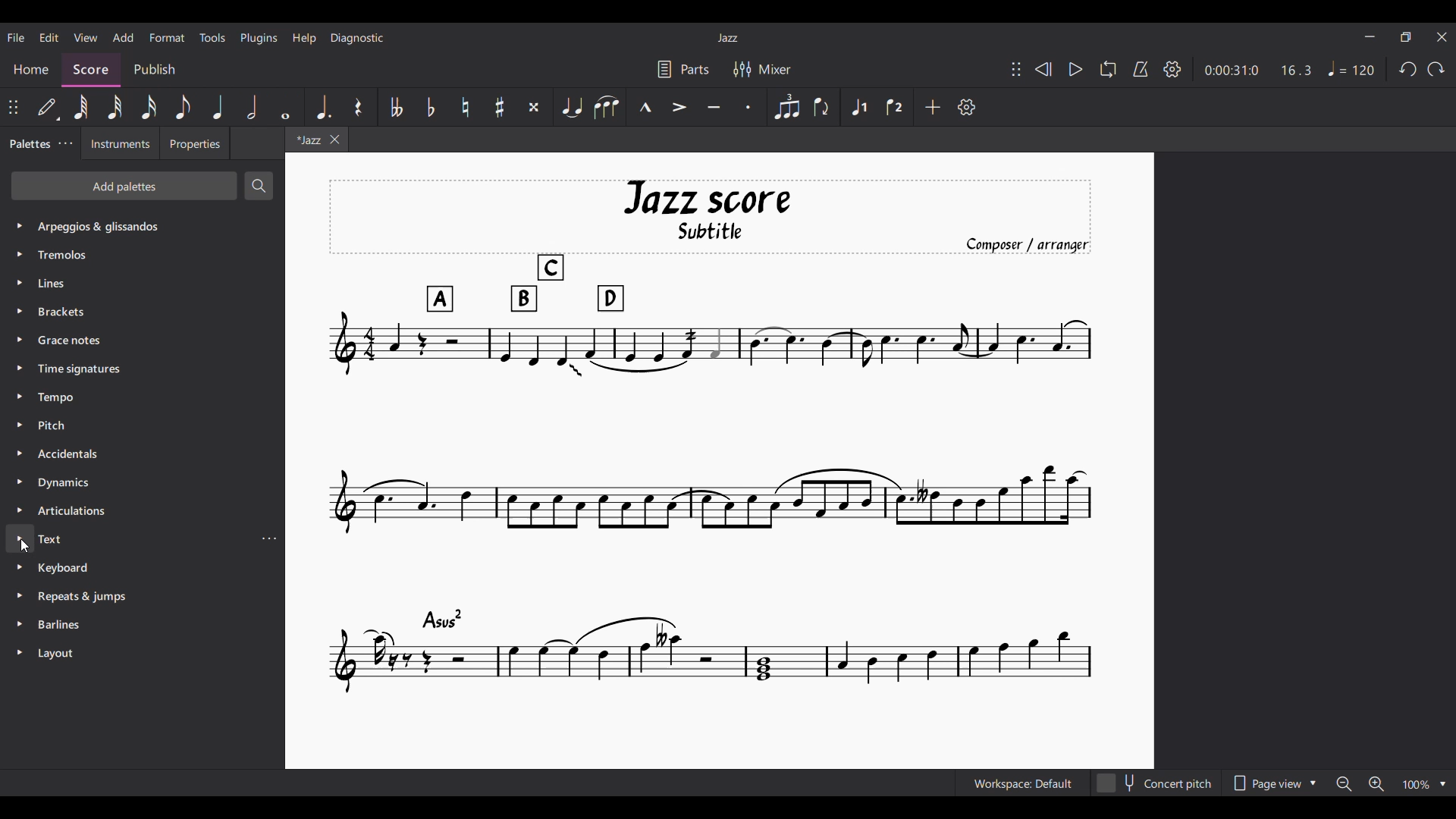 The height and width of the screenshot is (819, 1456). What do you see at coordinates (259, 38) in the screenshot?
I see `Plugins menu` at bounding box center [259, 38].